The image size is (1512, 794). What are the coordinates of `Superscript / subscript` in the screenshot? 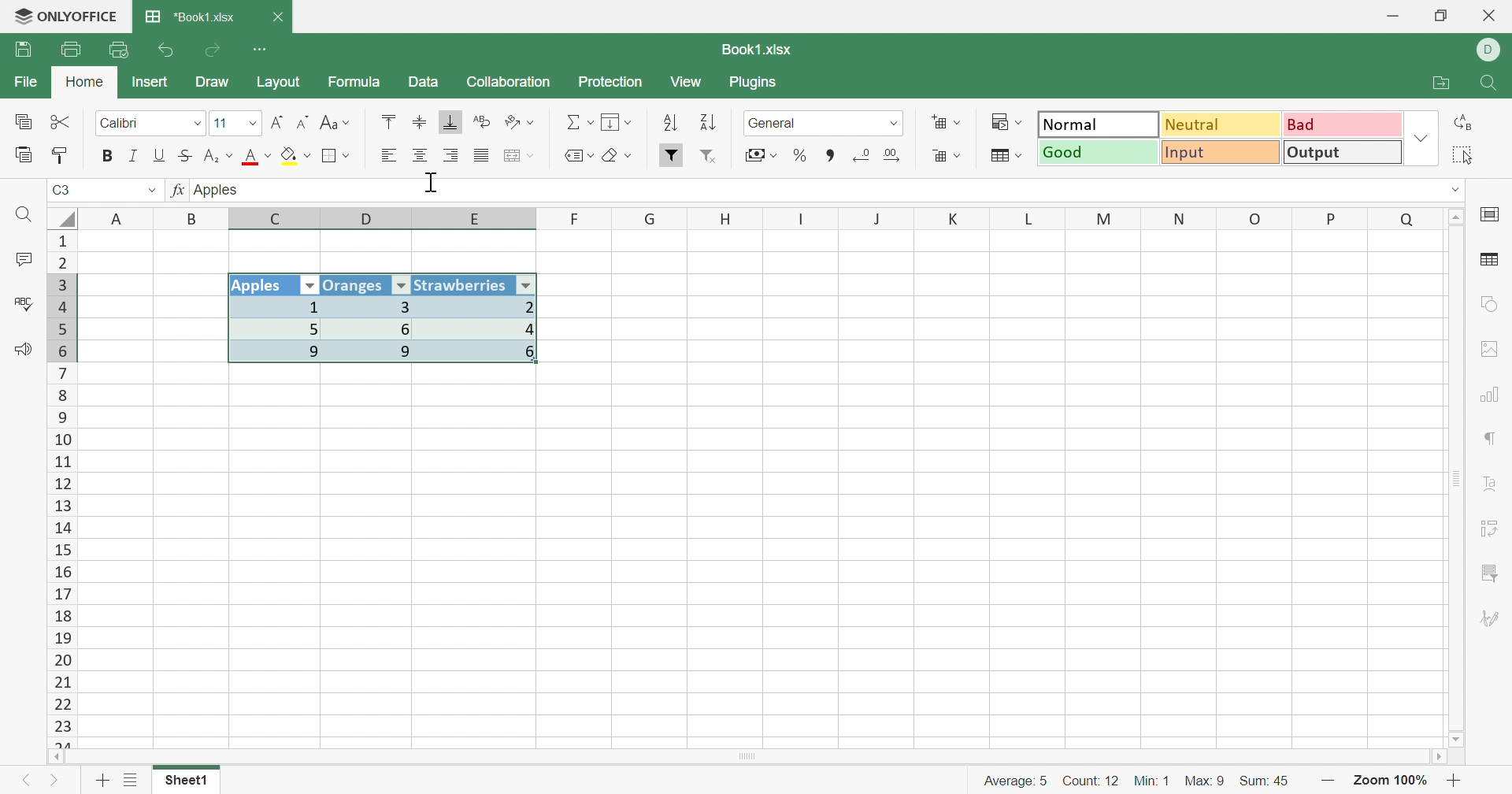 It's located at (220, 157).